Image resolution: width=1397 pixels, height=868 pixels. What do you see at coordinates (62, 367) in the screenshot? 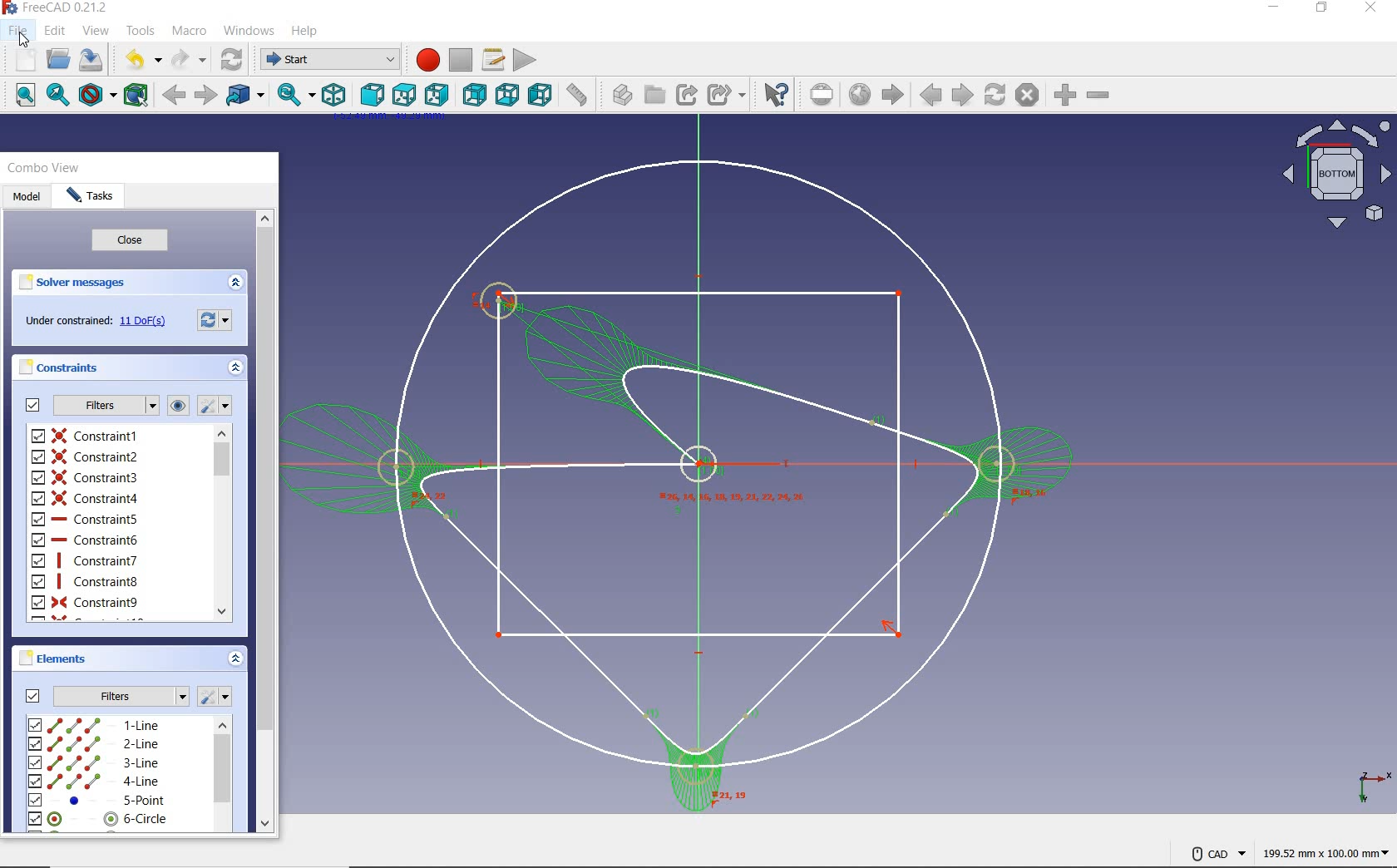
I see `constraints` at bounding box center [62, 367].